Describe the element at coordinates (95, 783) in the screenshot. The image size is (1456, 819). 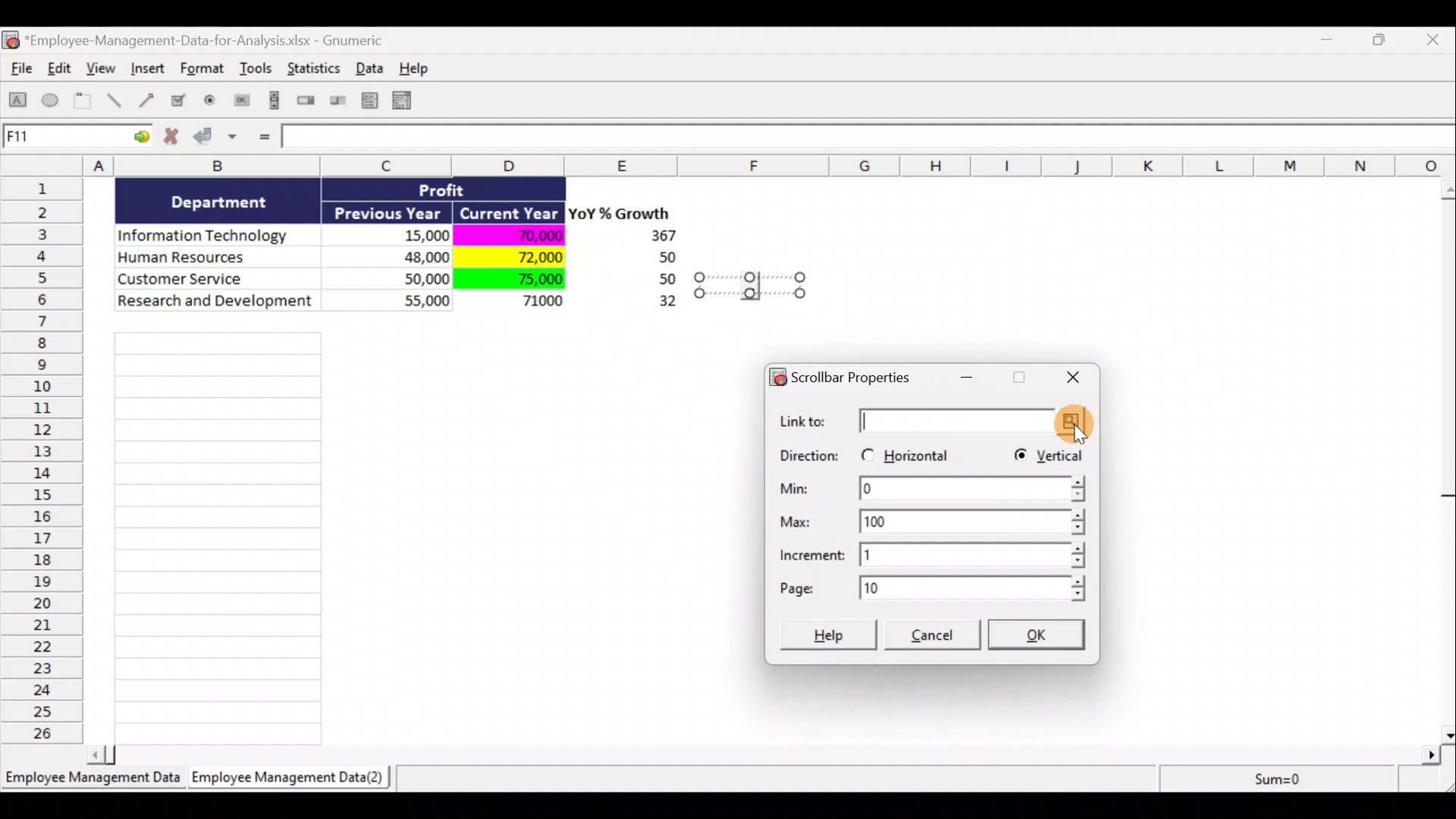
I see `Sheet 1` at that location.